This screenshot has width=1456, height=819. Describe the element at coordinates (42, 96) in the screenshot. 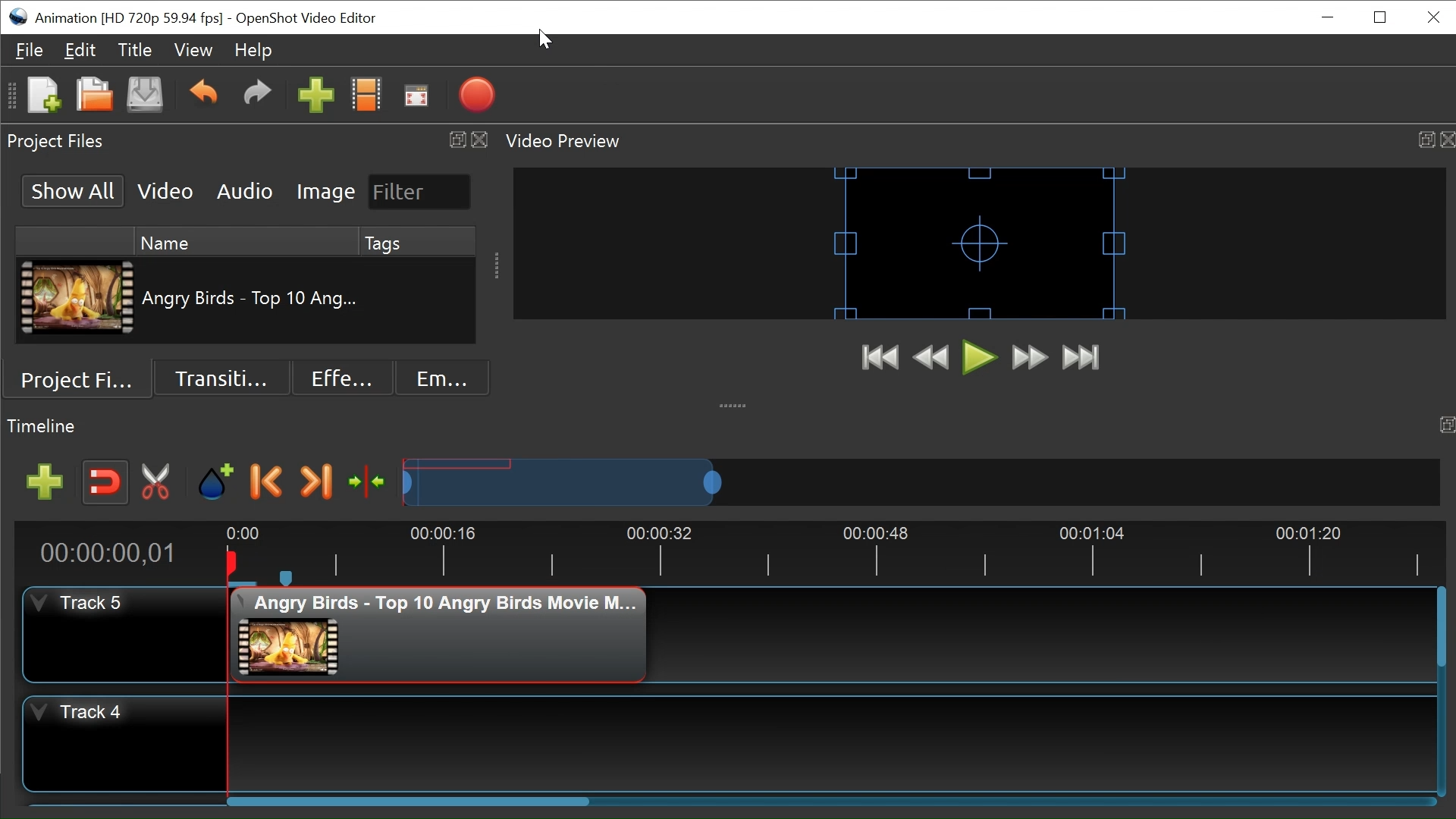

I see `New Project` at that location.